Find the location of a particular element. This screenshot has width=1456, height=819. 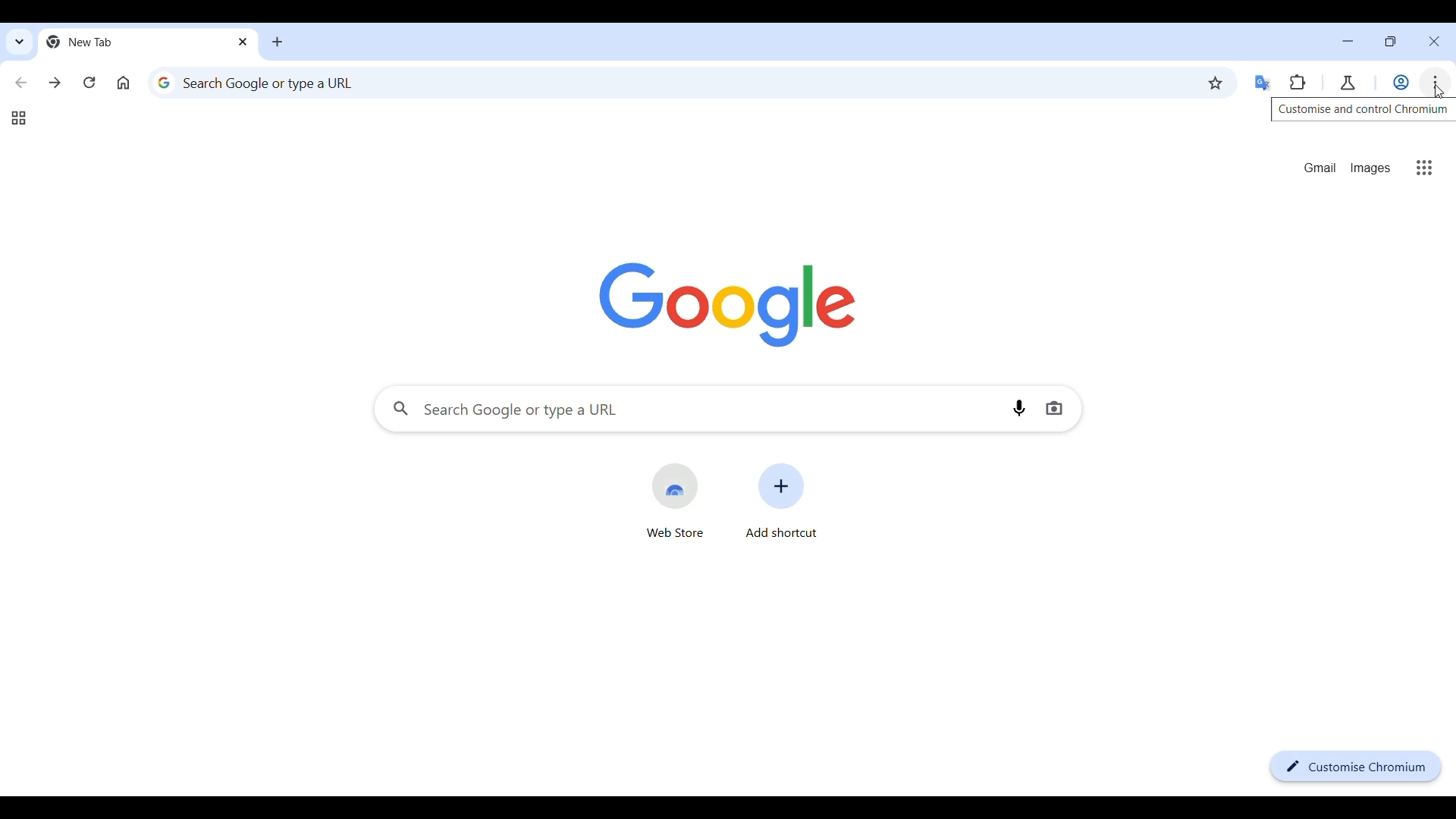

Tab groups is located at coordinates (18, 118).